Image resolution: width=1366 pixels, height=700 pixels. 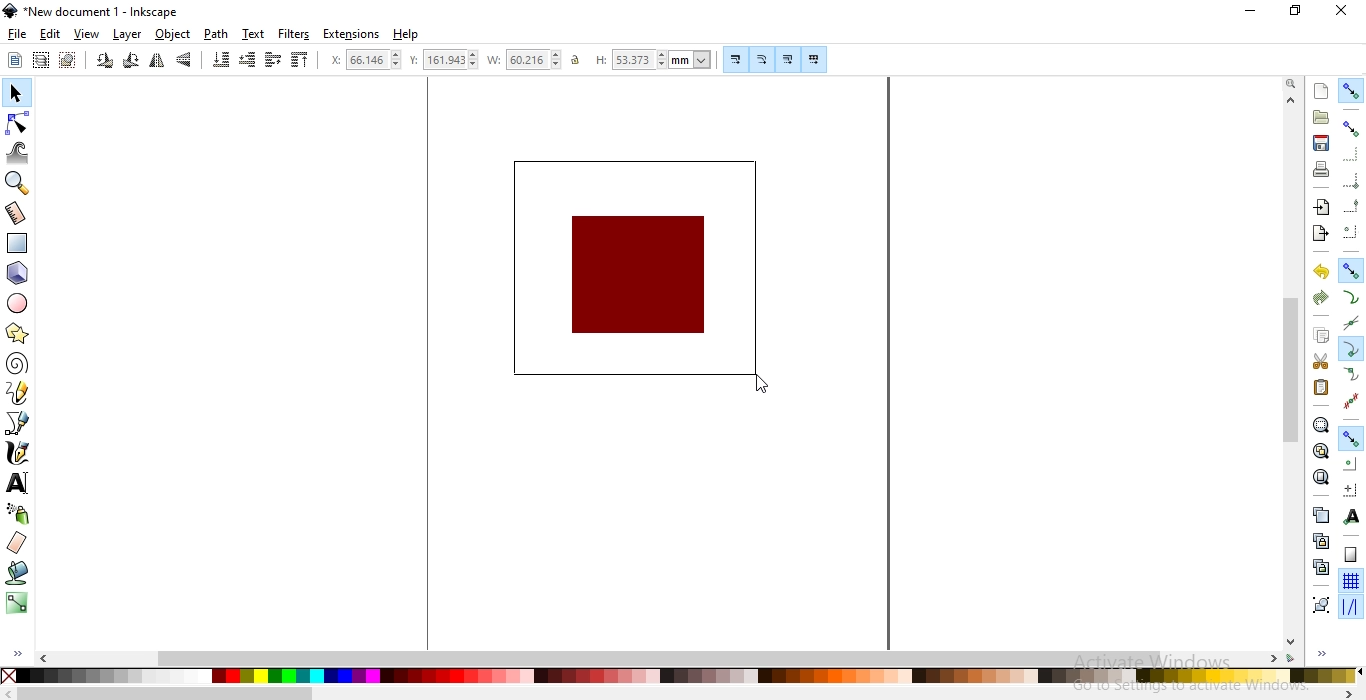 I want to click on group selected objects, so click(x=1319, y=604).